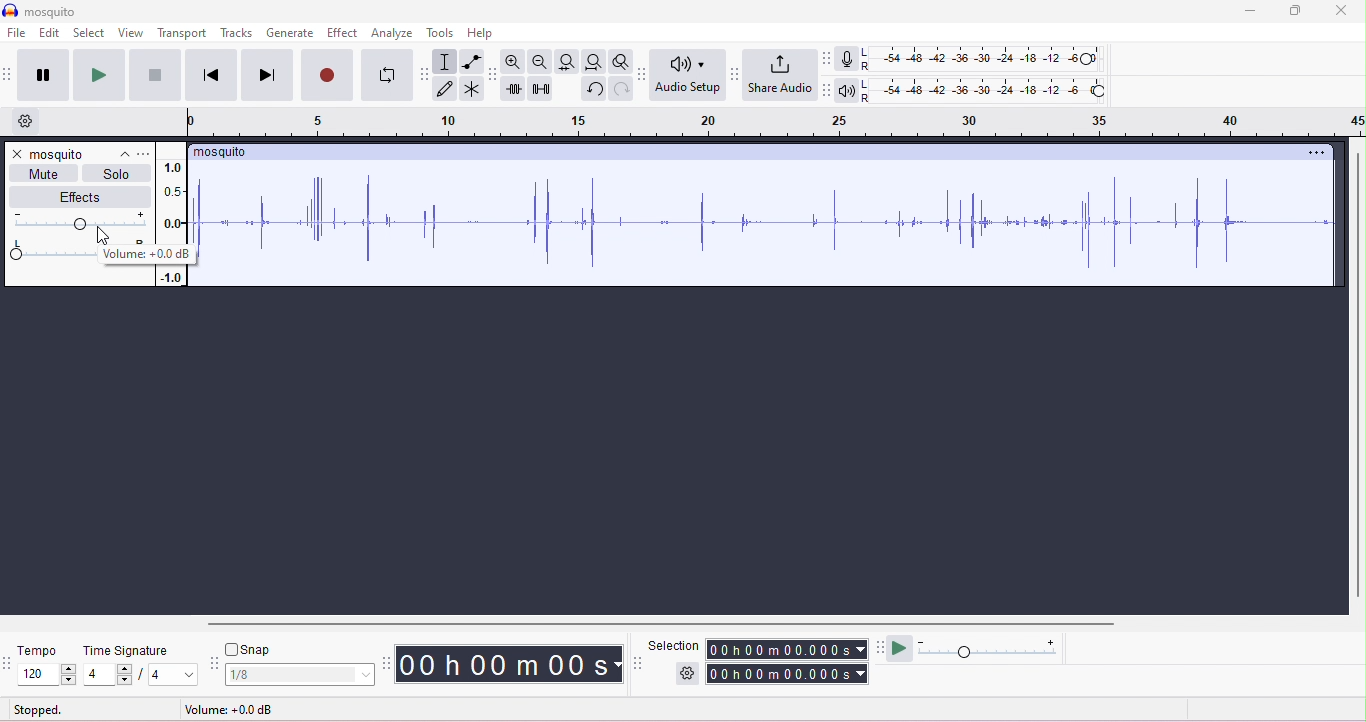 This screenshot has width=1366, height=722. Describe the element at coordinates (1357, 378) in the screenshot. I see `vertical scroll bar` at that location.